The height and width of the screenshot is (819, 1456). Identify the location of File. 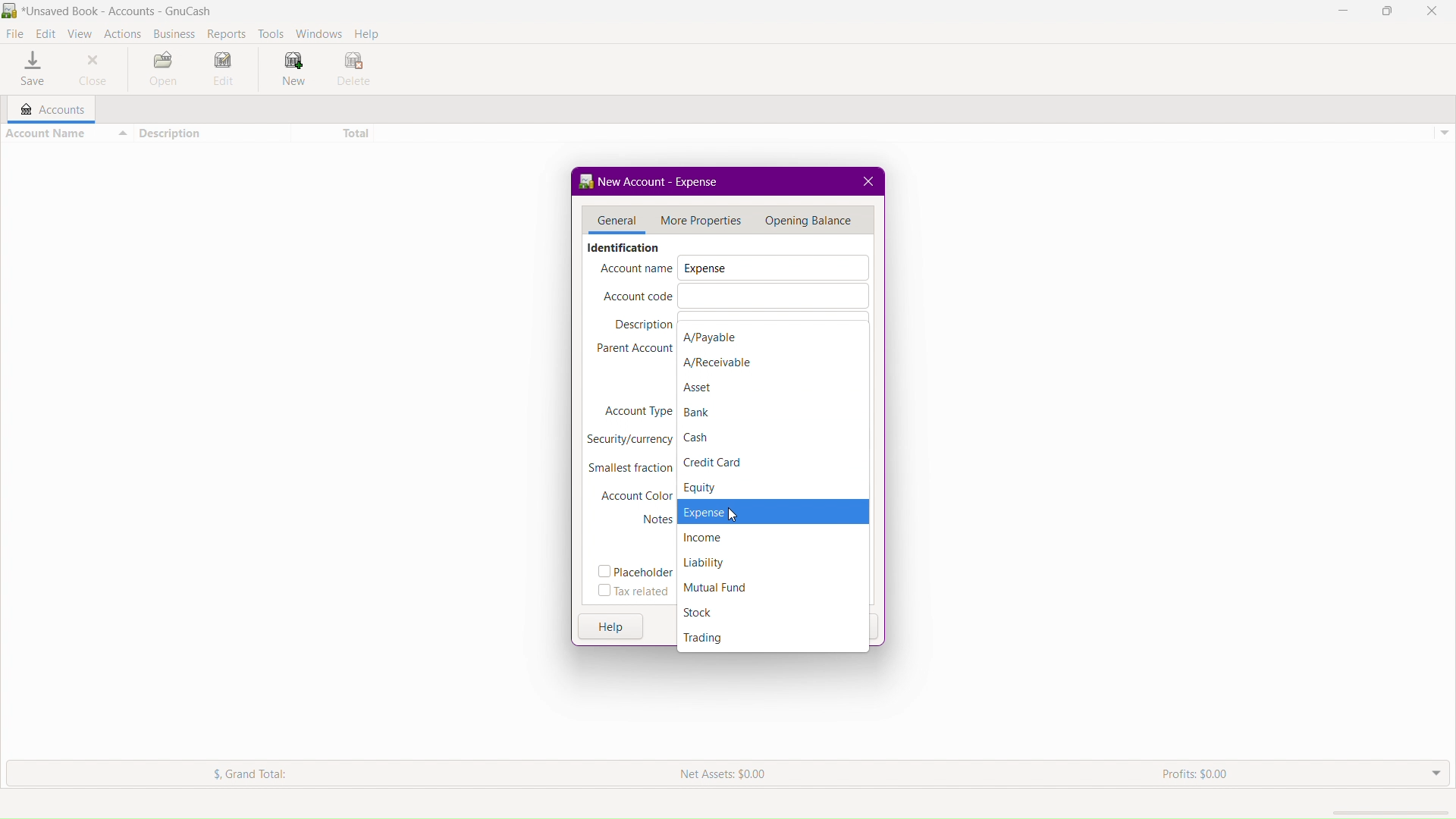
(17, 32).